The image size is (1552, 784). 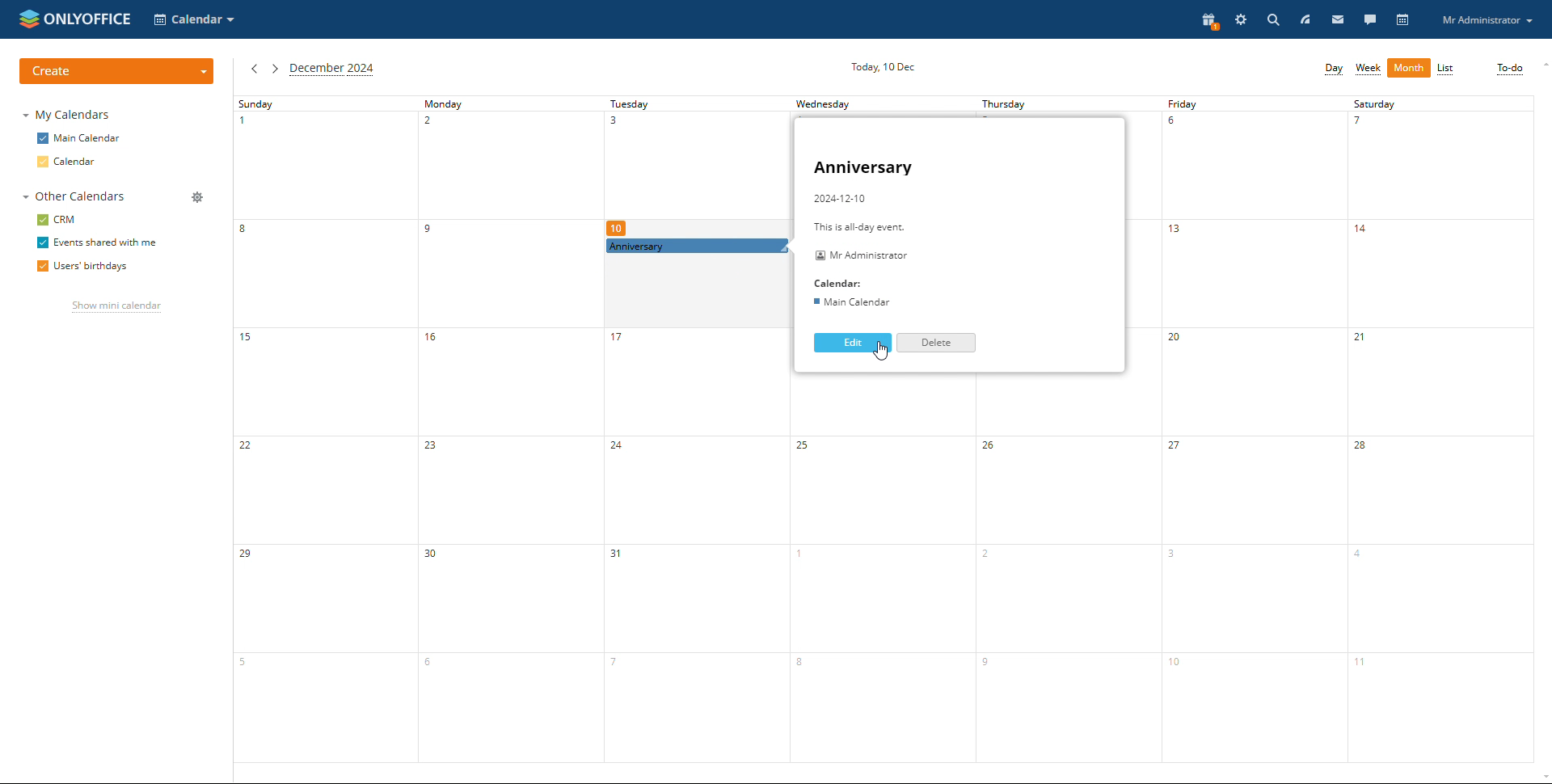 What do you see at coordinates (332, 70) in the screenshot?
I see `current month` at bounding box center [332, 70].